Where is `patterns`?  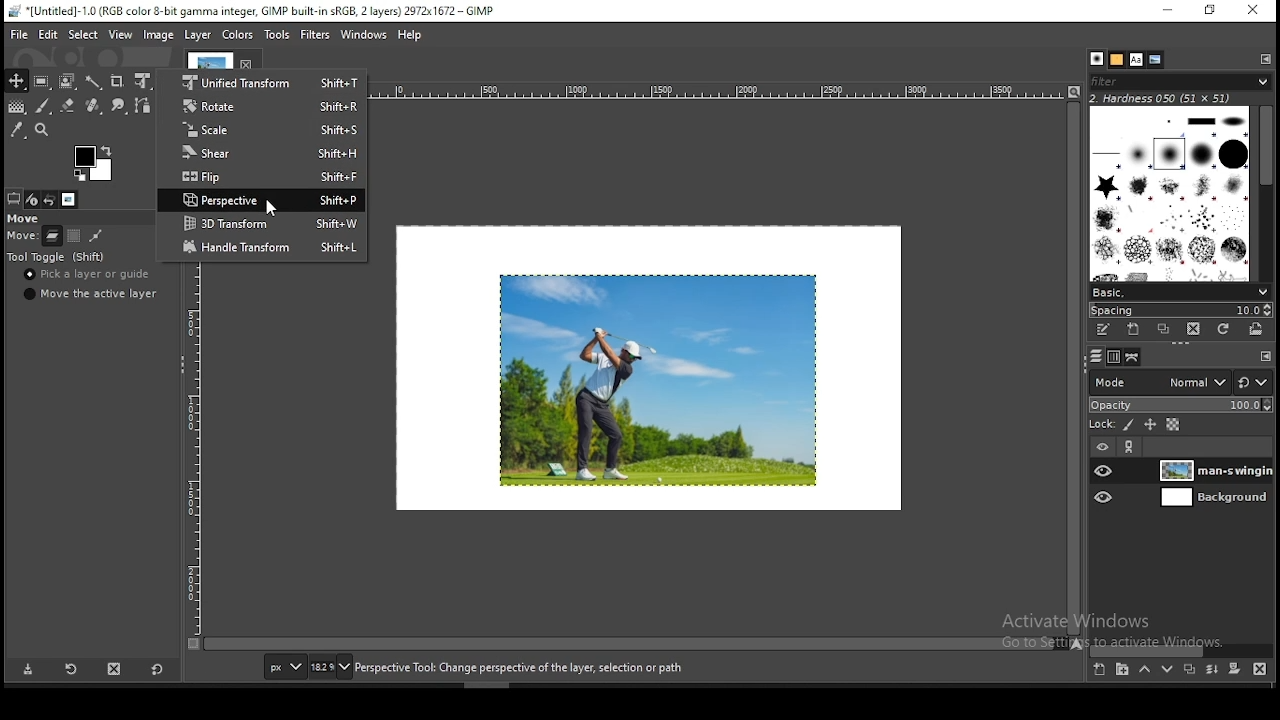
patterns is located at coordinates (1116, 59).